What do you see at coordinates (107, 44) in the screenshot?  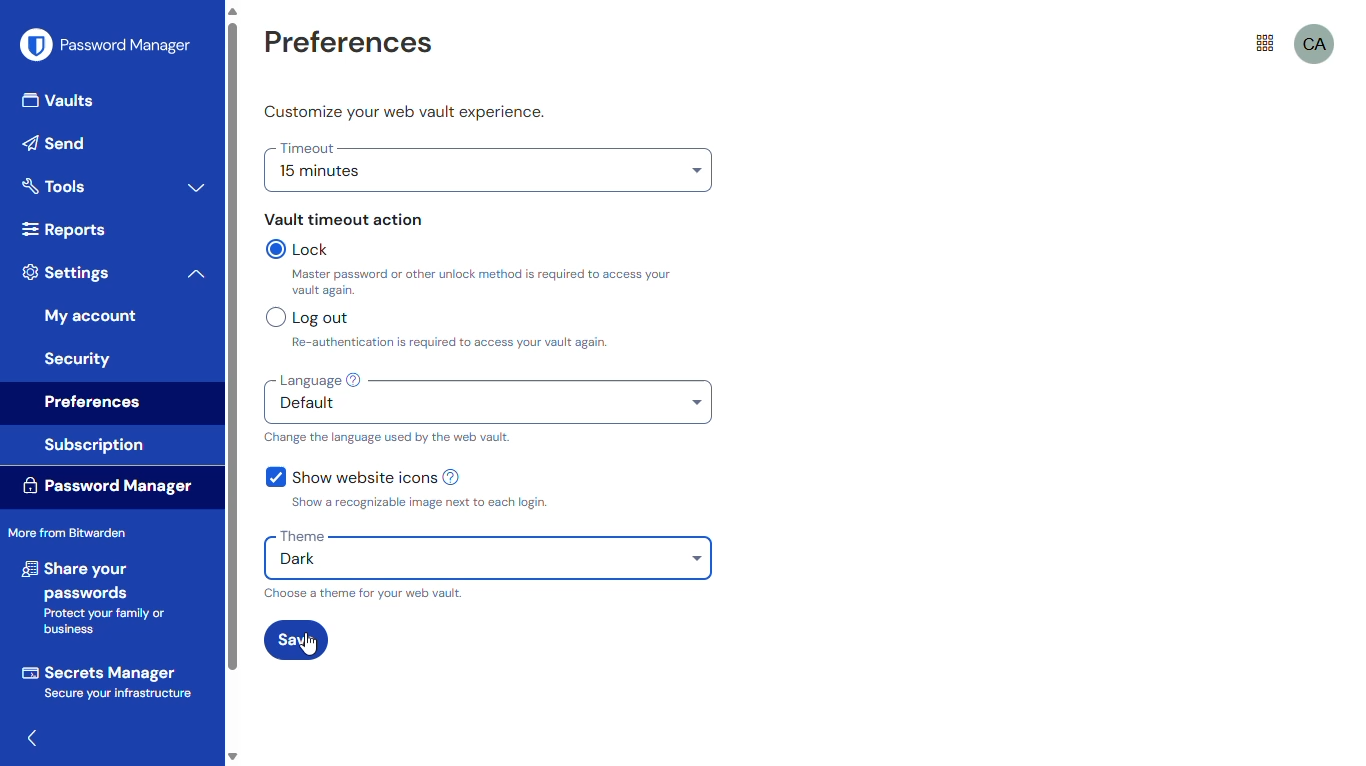 I see `password manager` at bounding box center [107, 44].